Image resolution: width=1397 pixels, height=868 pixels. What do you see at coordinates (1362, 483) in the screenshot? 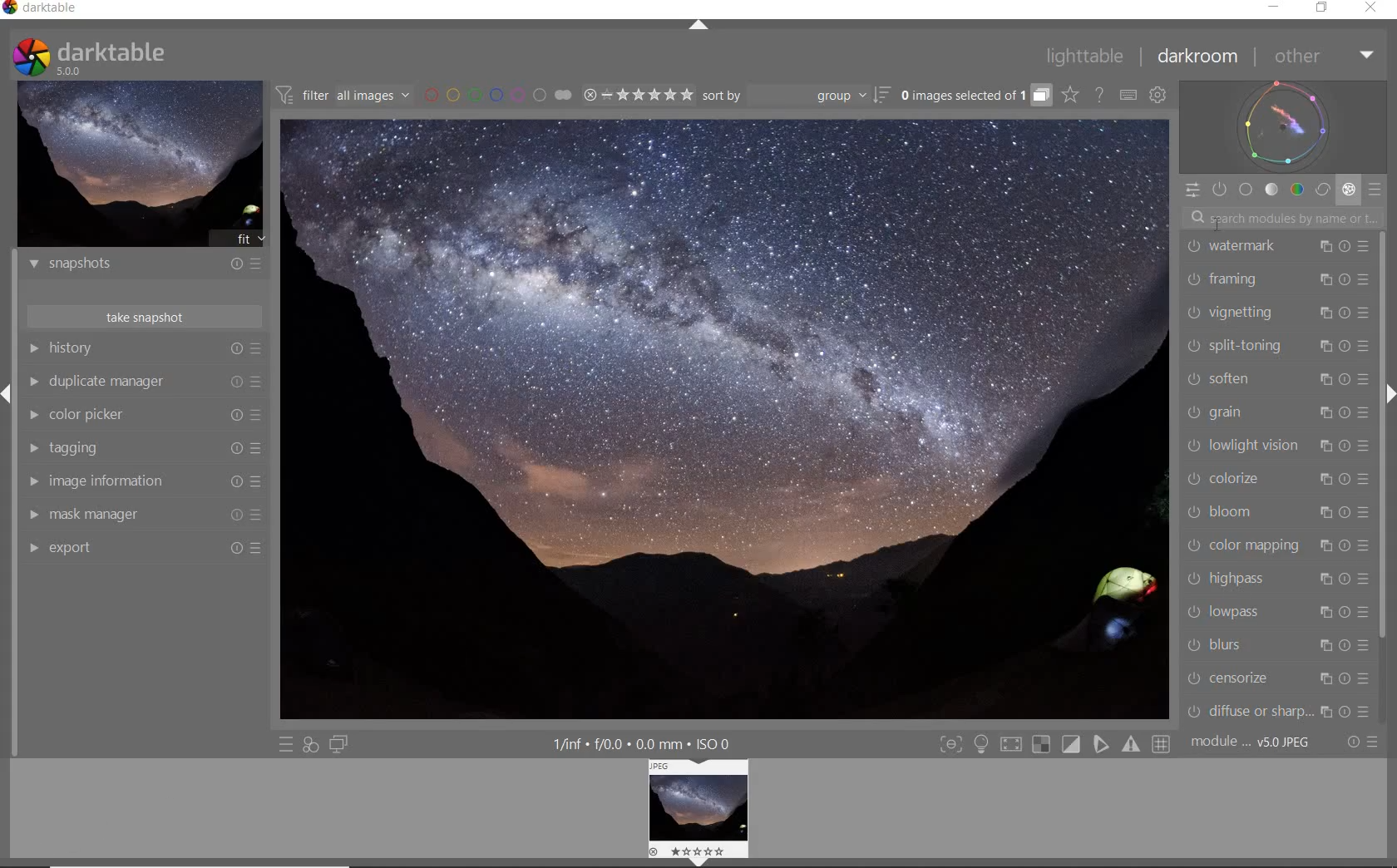
I see `presets` at bounding box center [1362, 483].